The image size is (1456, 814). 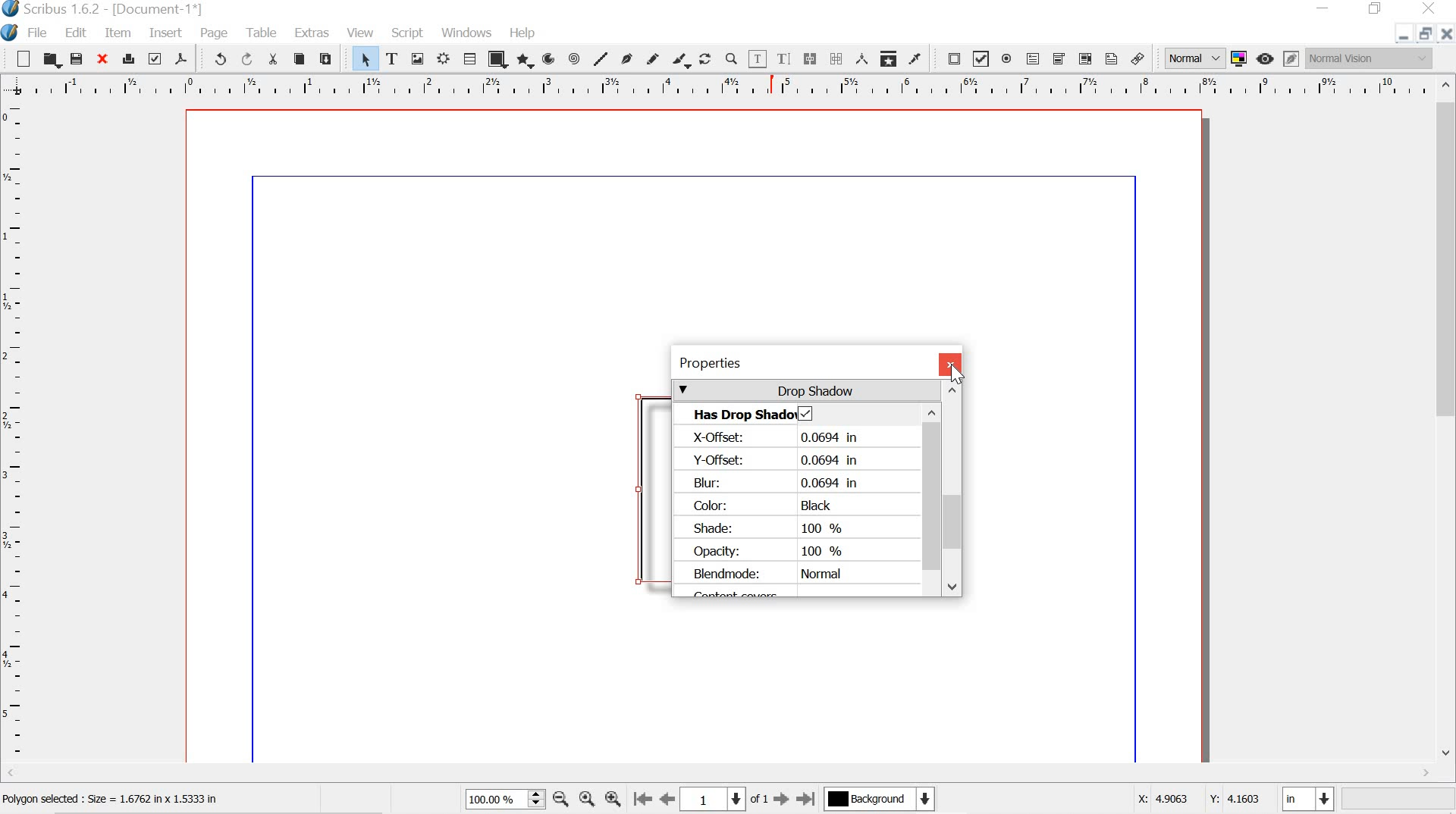 I want to click on X-Offset: 0.0694 in, so click(x=781, y=438).